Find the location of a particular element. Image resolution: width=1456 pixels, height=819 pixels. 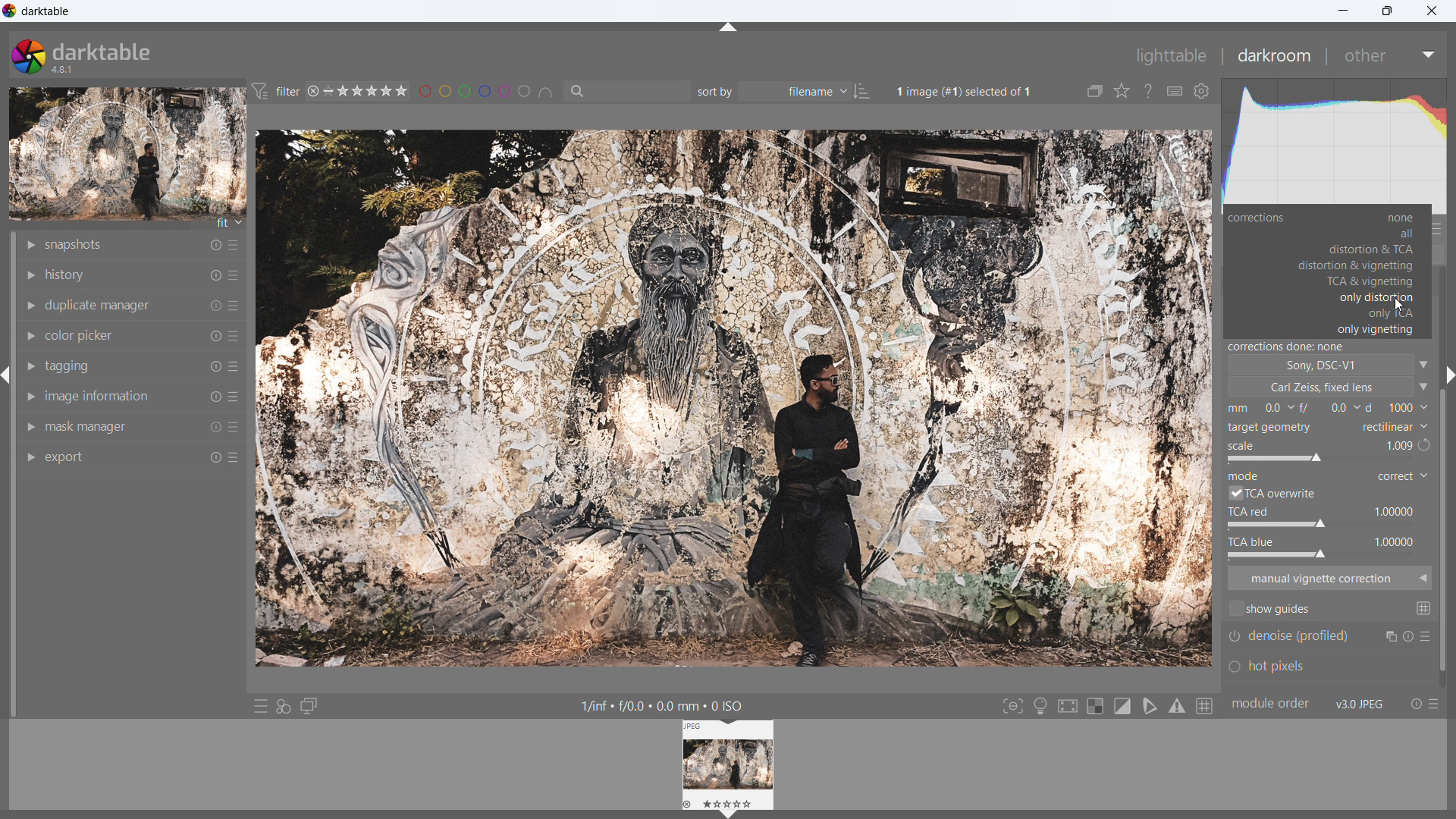

more options is located at coordinates (236, 454).